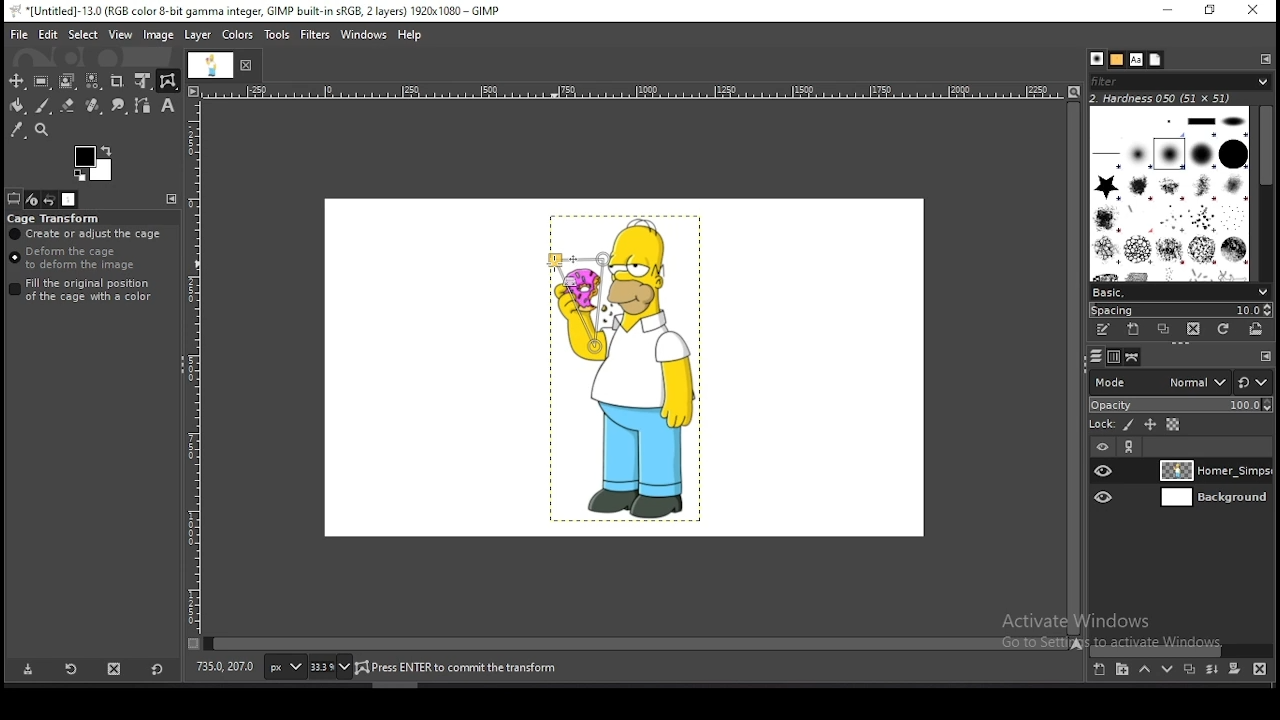 This screenshot has width=1280, height=720. I want to click on move layer one step up, so click(1145, 672).